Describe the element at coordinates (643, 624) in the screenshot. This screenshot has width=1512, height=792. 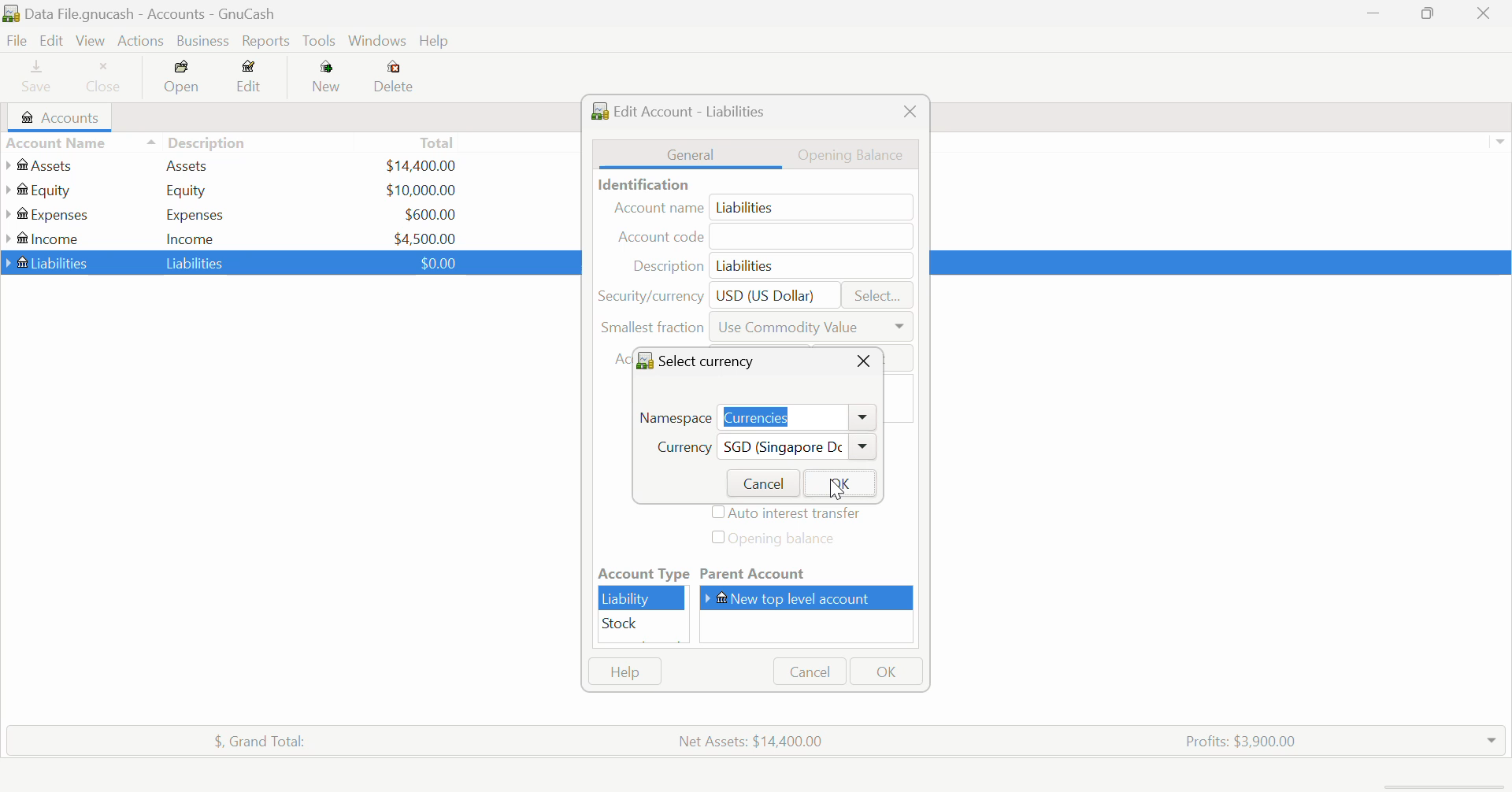
I see `Stock` at that location.